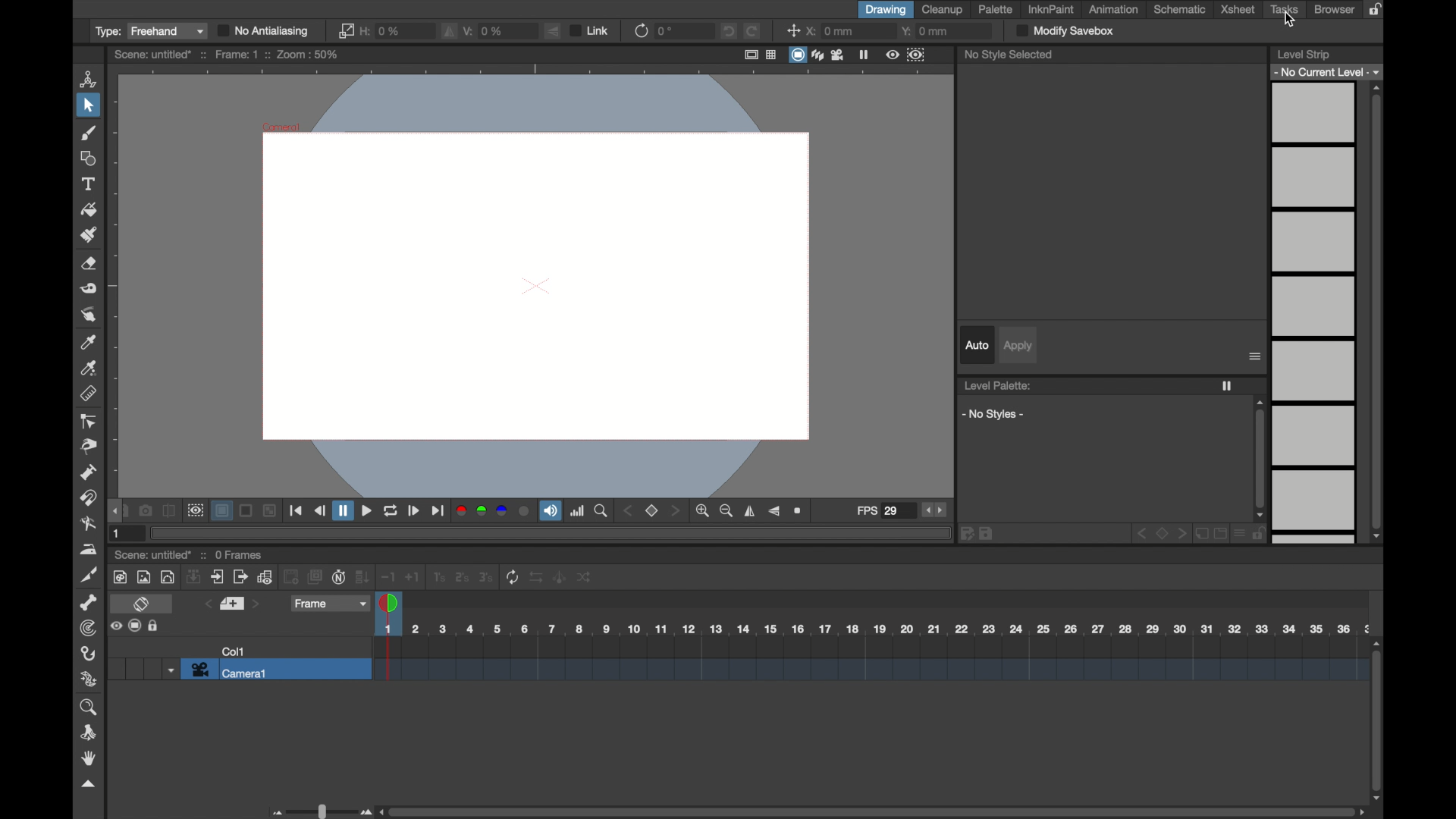 Image resolution: width=1456 pixels, height=819 pixels. I want to click on set, so click(654, 512).